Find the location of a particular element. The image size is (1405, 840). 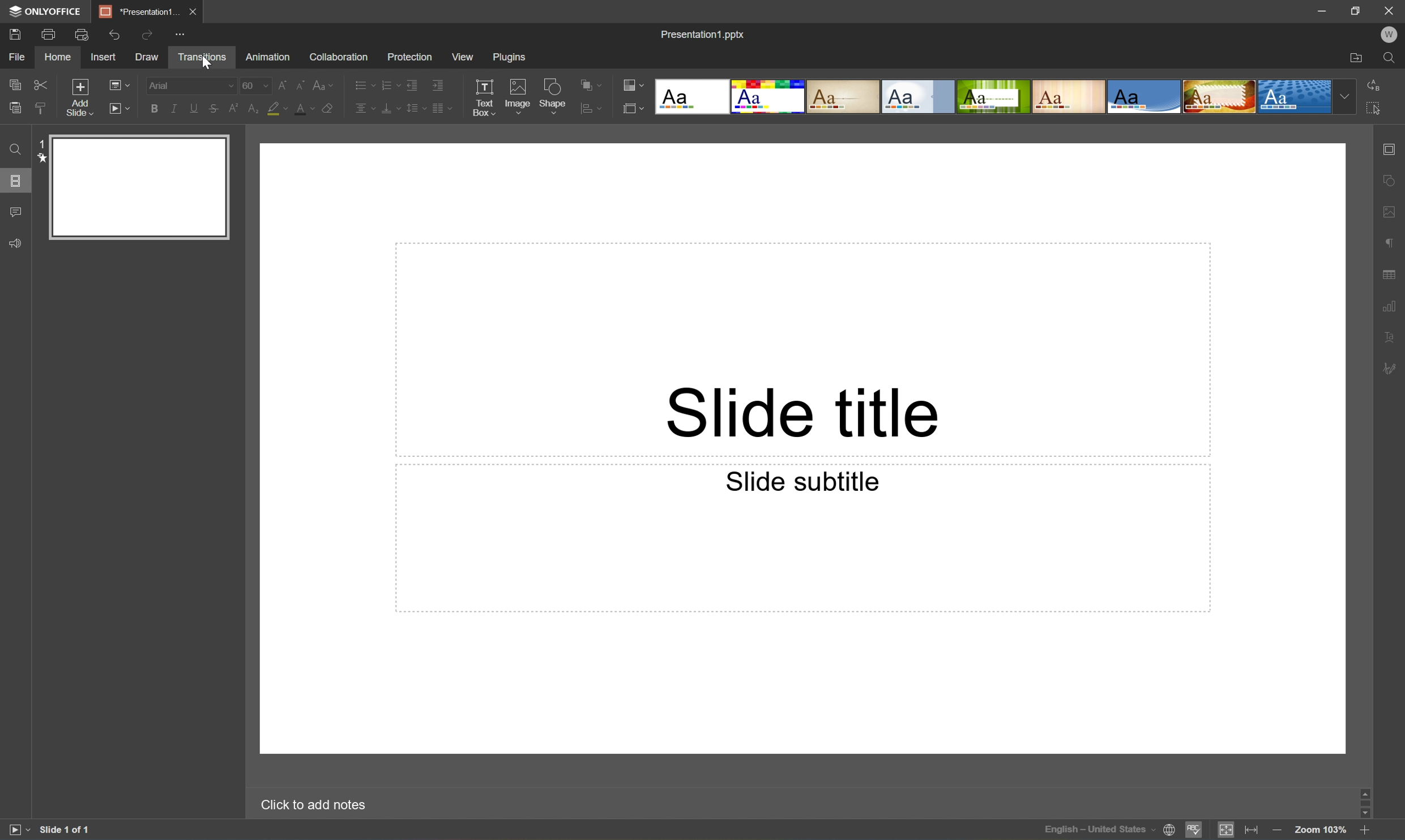

Restore Down is located at coordinates (1359, 12).